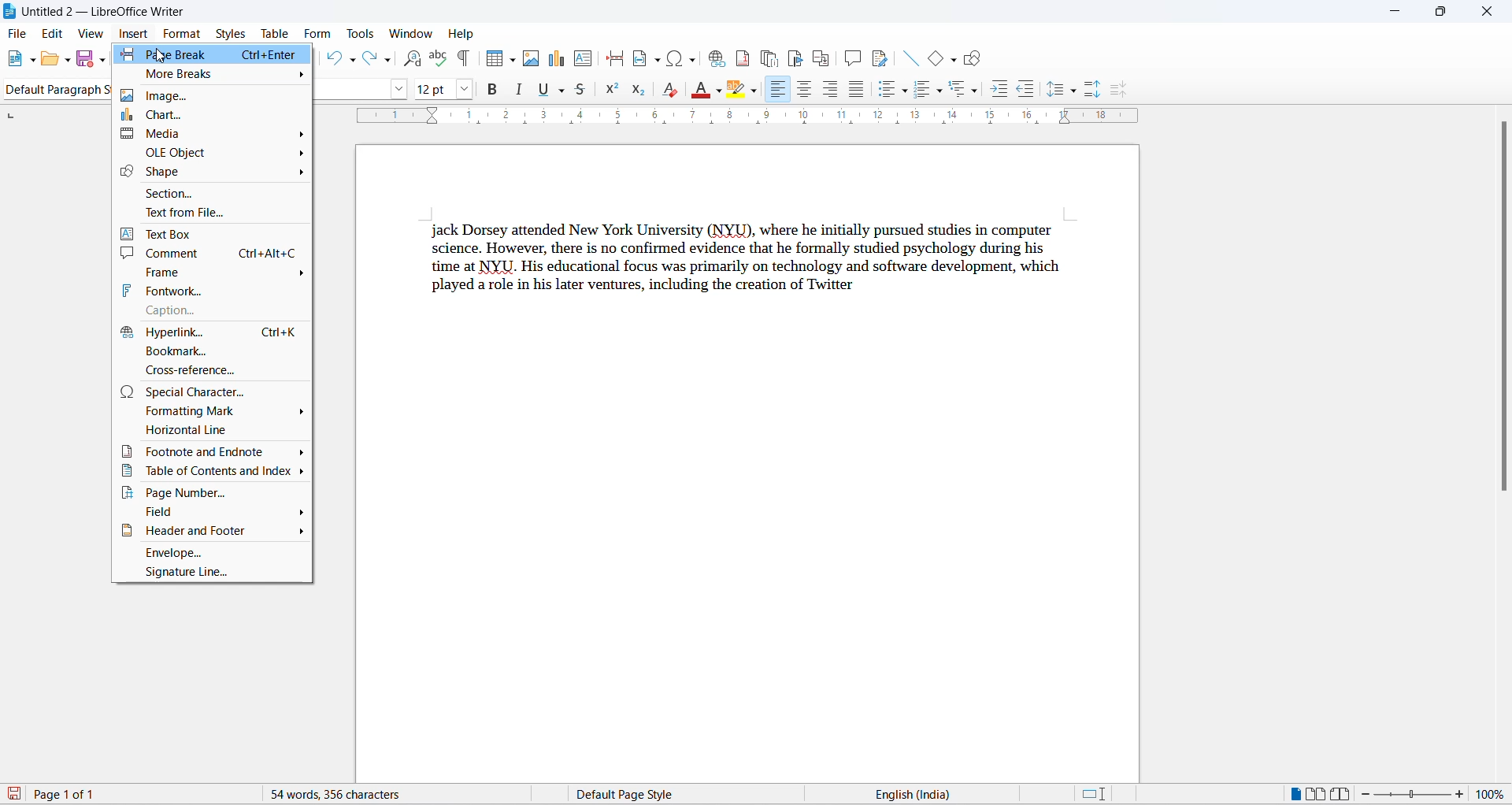  What do you see at coordinates (739, 93) in the screenshot?
I see `character highlighting icon` at bounding box center [739, 93].